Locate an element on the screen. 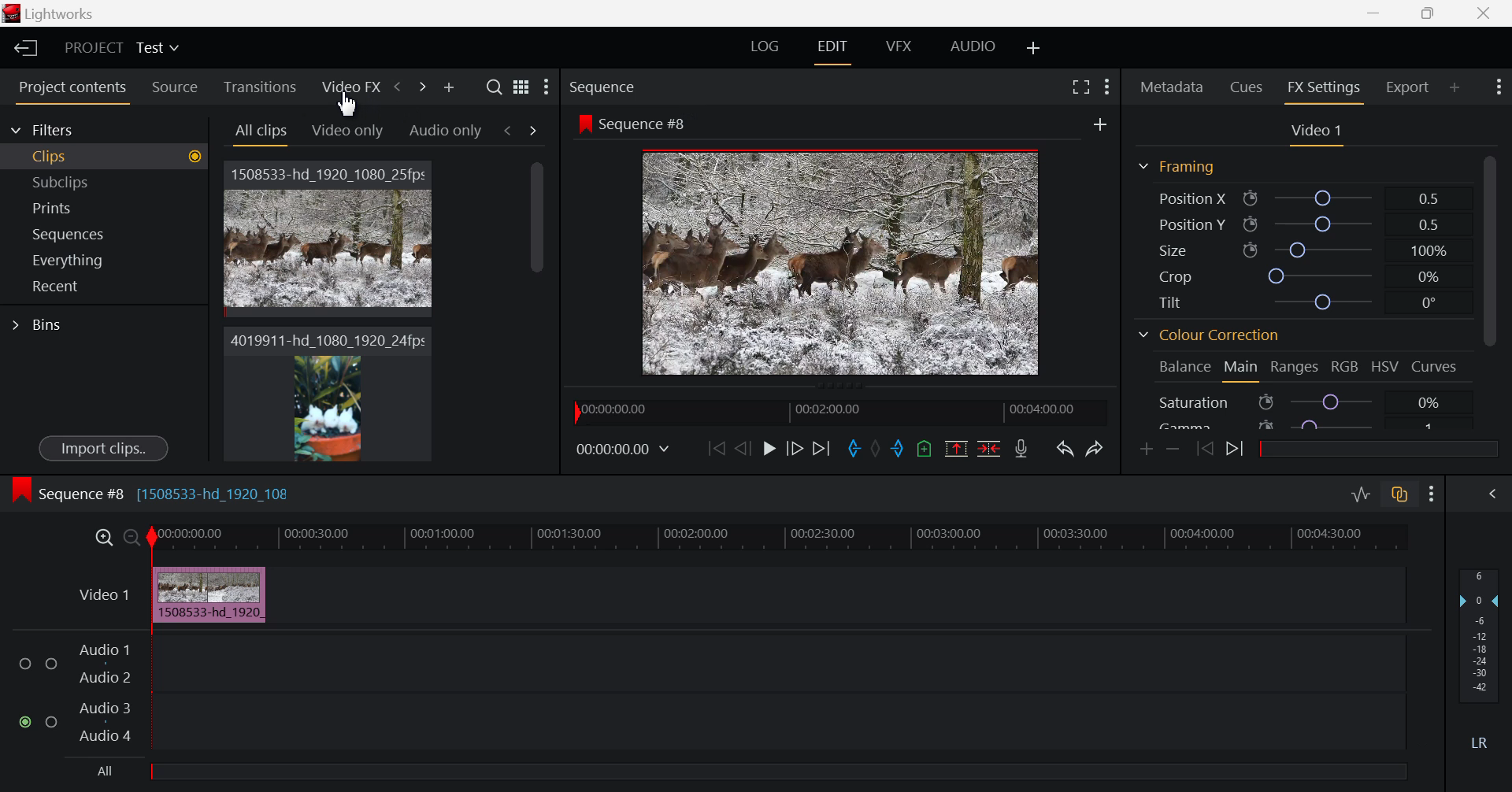 The image size is (1512, 792). Show Audio Mix is located at coordinates (1492, 493).